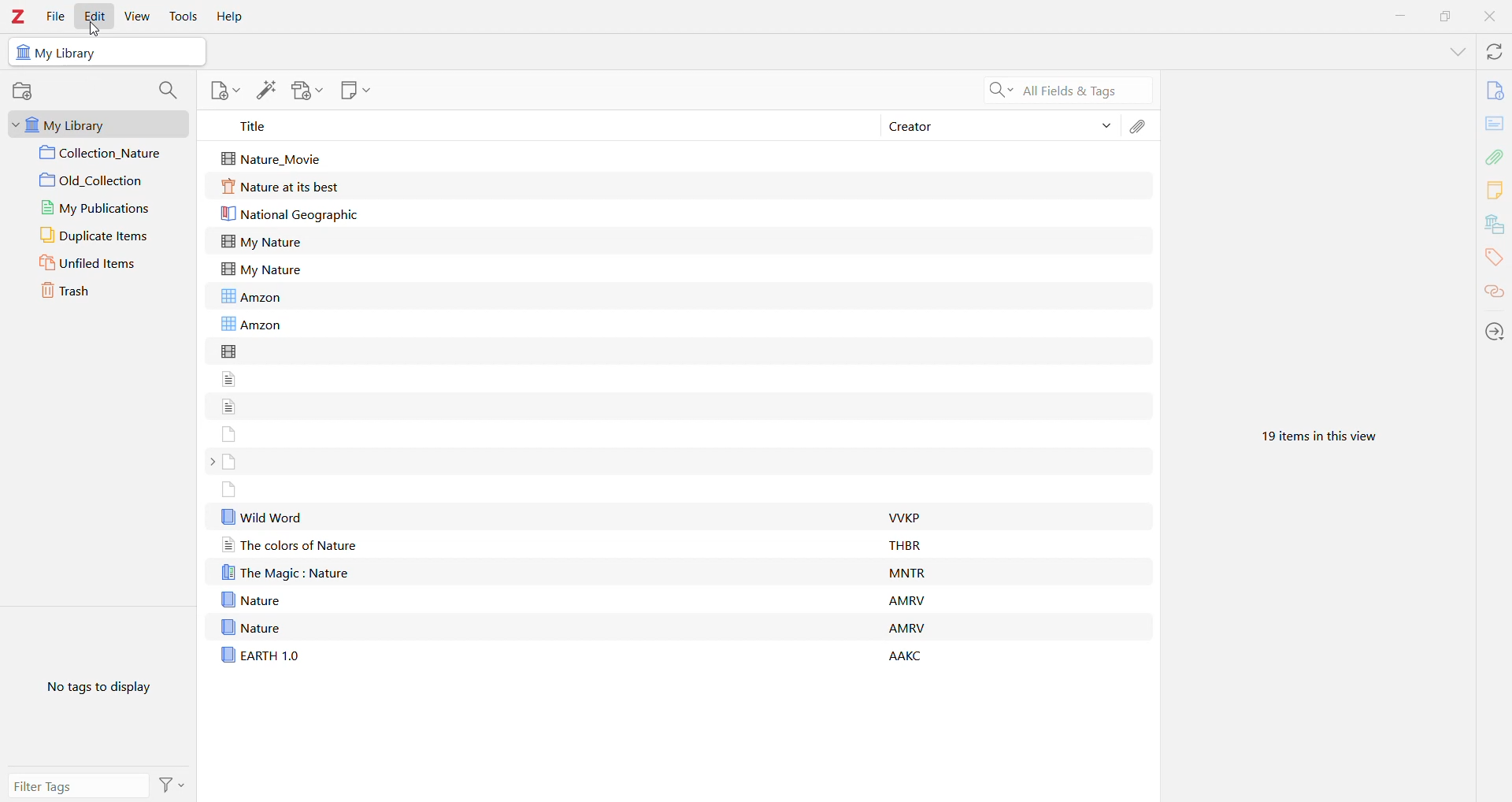 The image size is (1512, 802). Describe the element at coordinates (1496, 191) in the screenshot. I see `Notes` at that location.